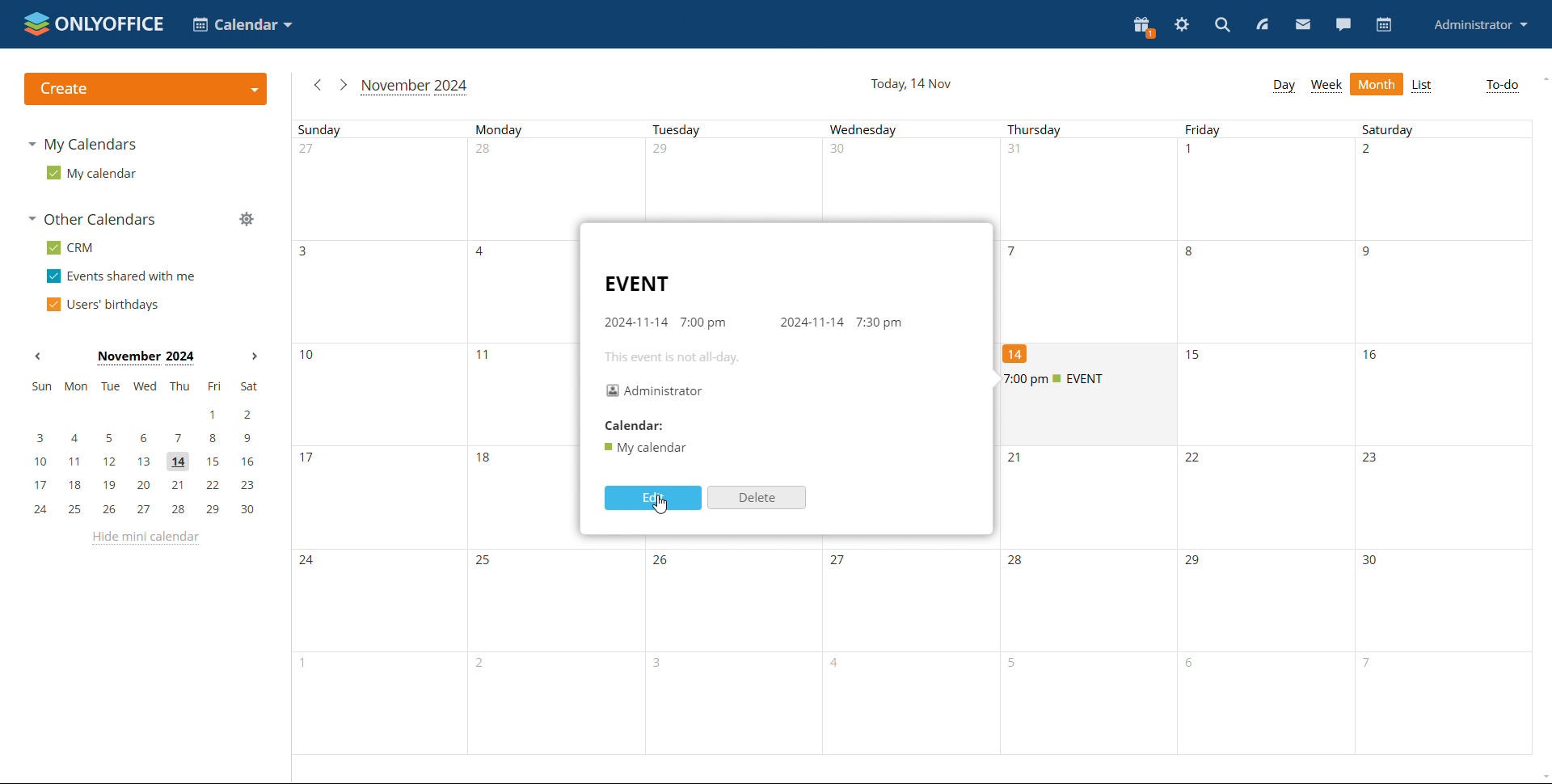  I want to click on current month, so click(145, 358).